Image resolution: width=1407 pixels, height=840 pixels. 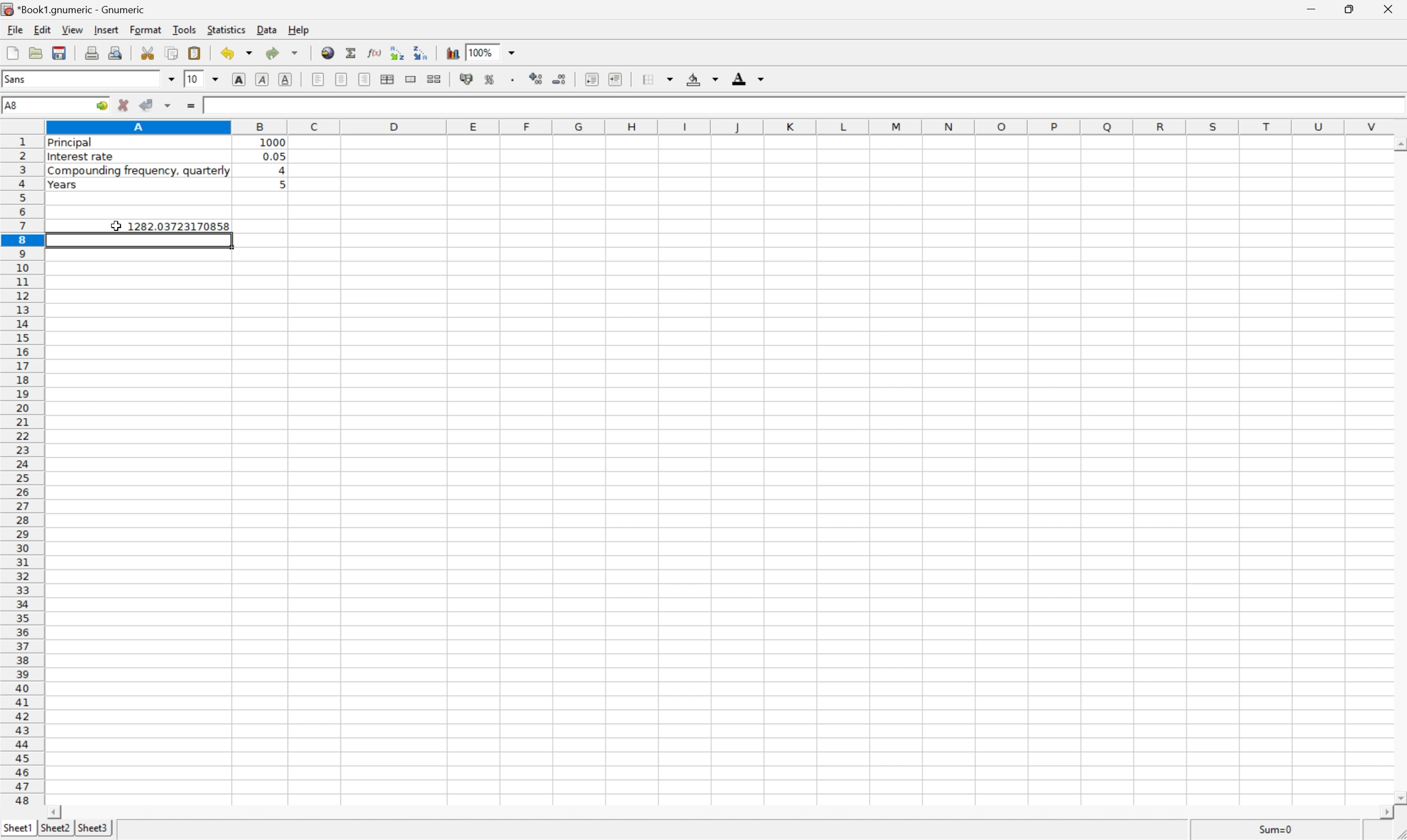 What do you see at coordinates (340, 79) in the screenshot?
I see `center horizontally` at bounding box center [340, 79].